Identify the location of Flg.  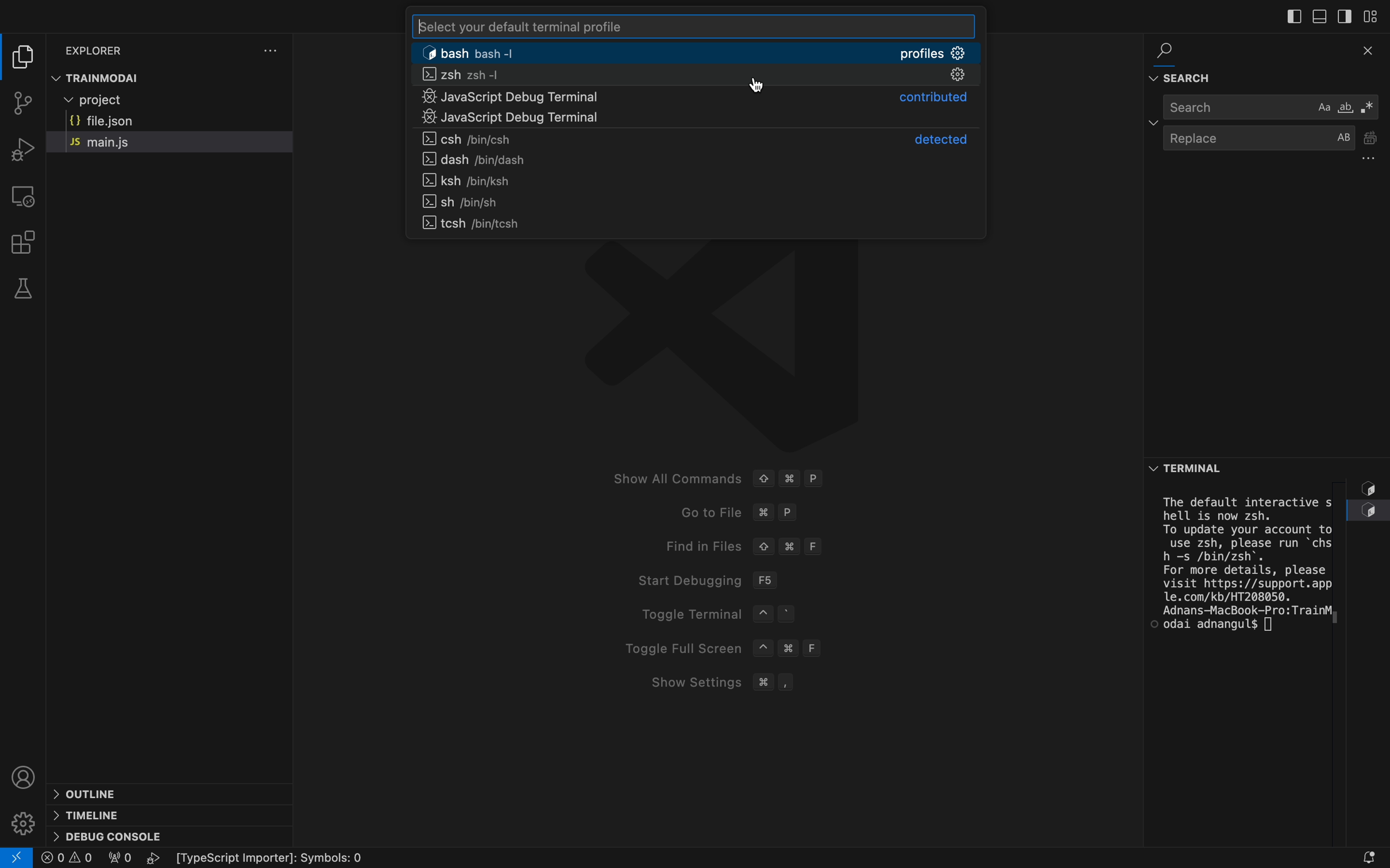
(118, 859).